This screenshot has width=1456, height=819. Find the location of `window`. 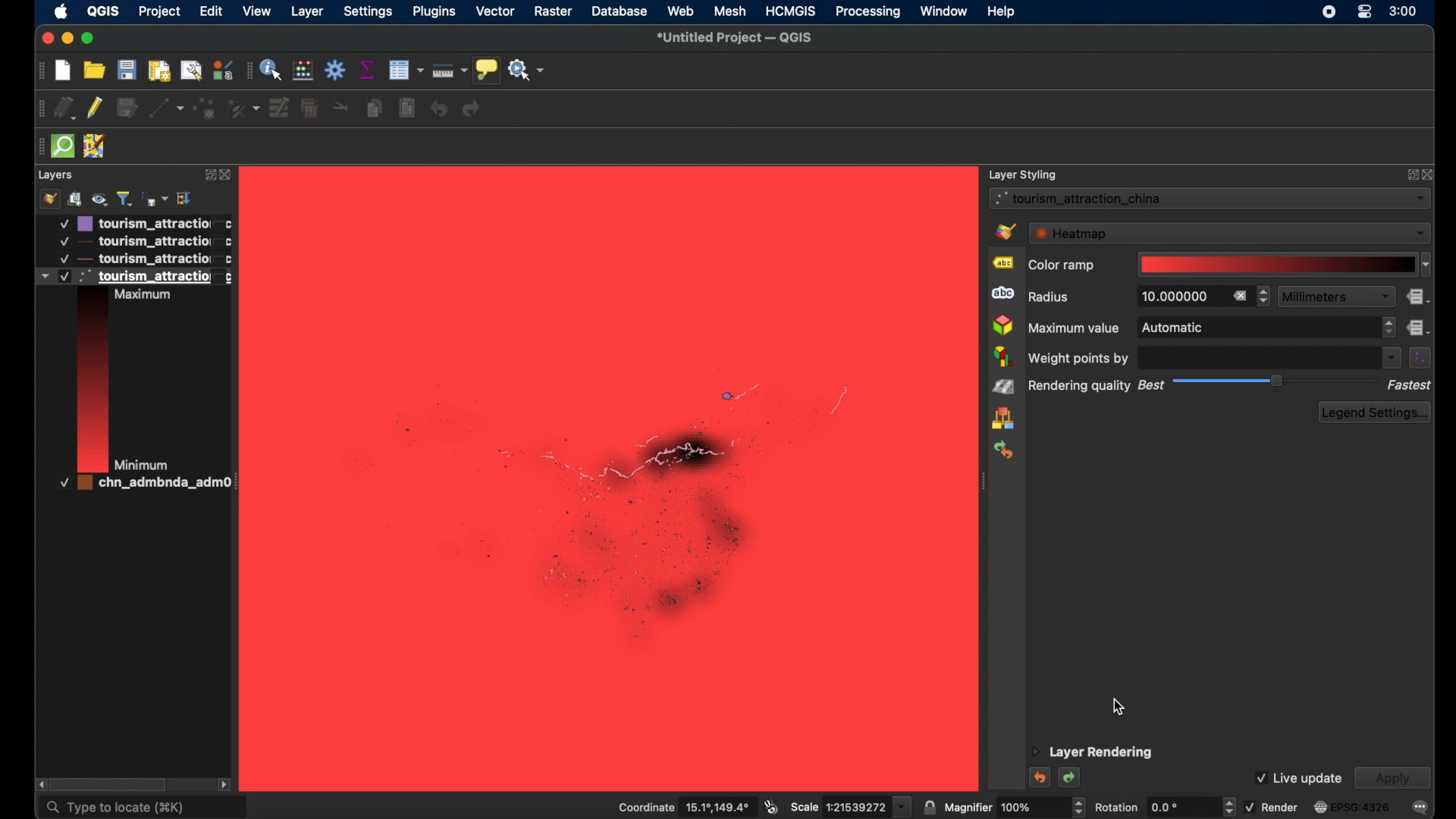

window is located at coordinates (943, 11).